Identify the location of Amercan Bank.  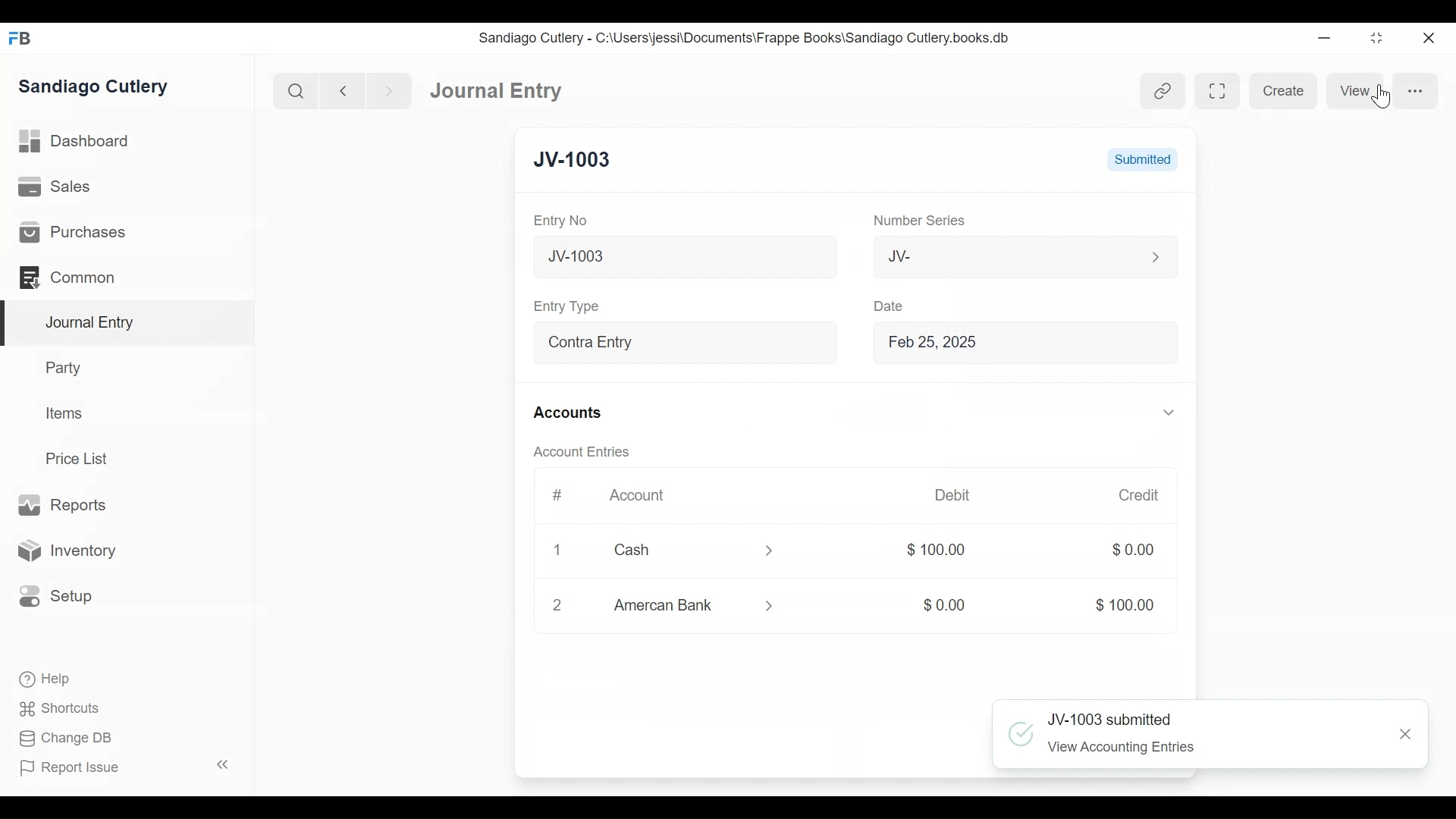
(667, 608).